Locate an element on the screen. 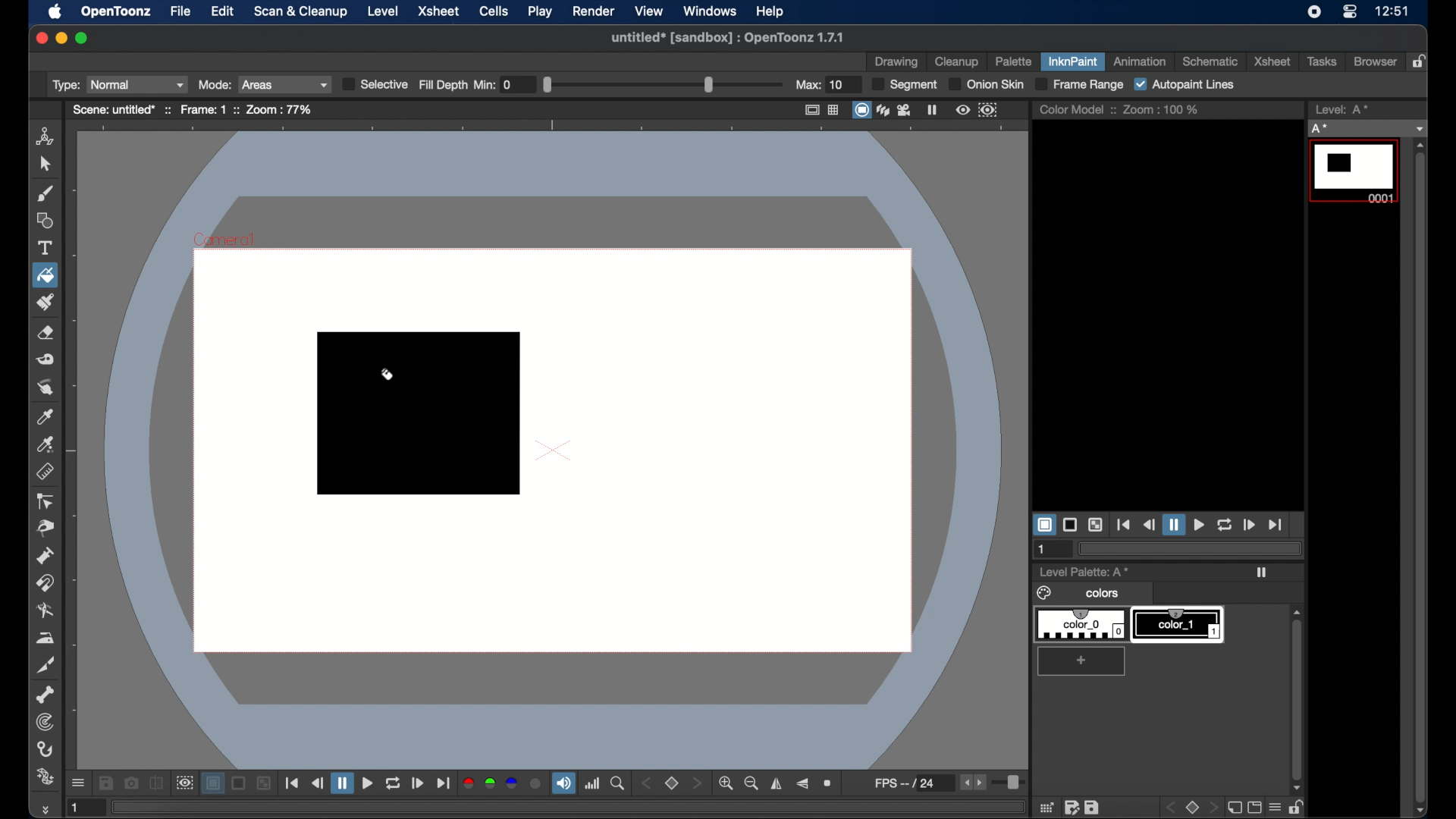 The image size is (1456, 819). segment is located at coordinates (905, 85).